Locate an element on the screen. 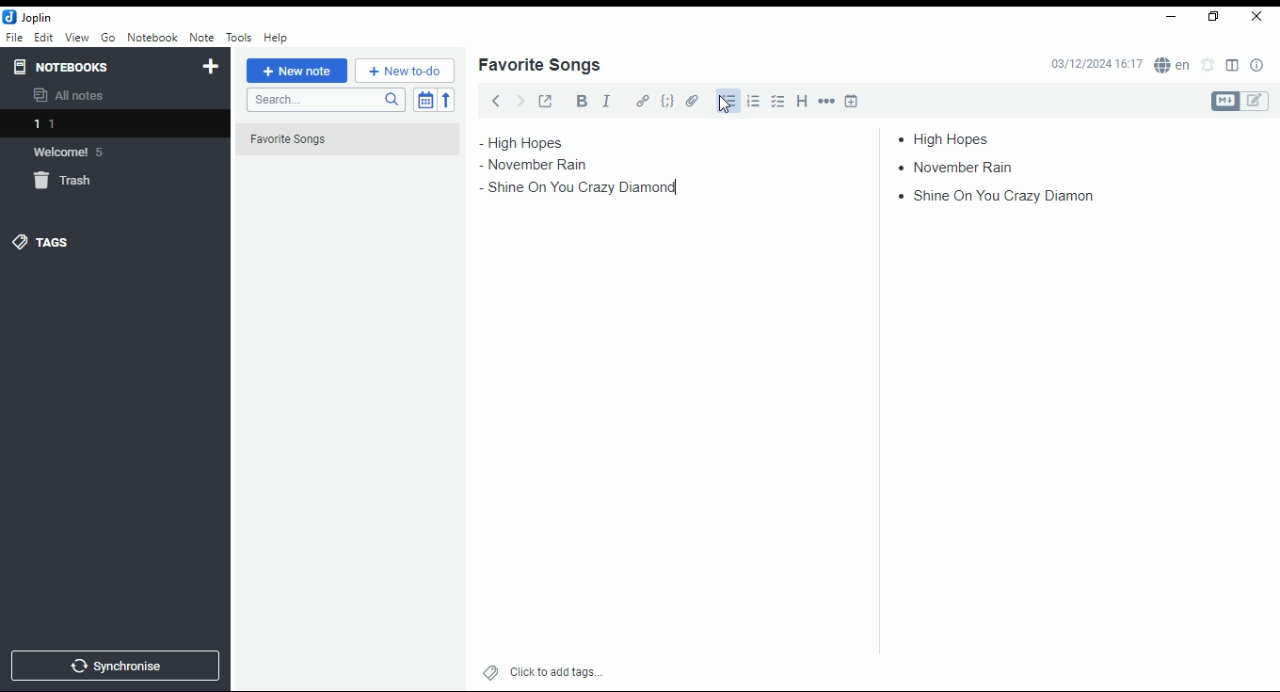 The width and height of the screenshot is (1280, 692). high hopes is located at coordinates (953, 139).